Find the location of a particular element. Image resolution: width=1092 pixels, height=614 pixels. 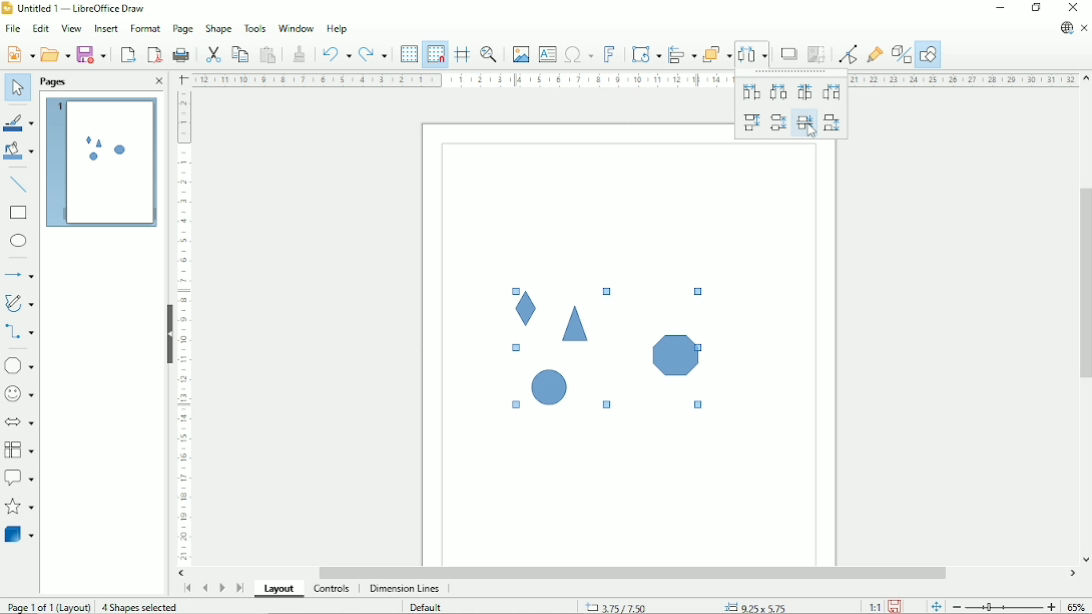

Tools is located at coordinates (255, 27).